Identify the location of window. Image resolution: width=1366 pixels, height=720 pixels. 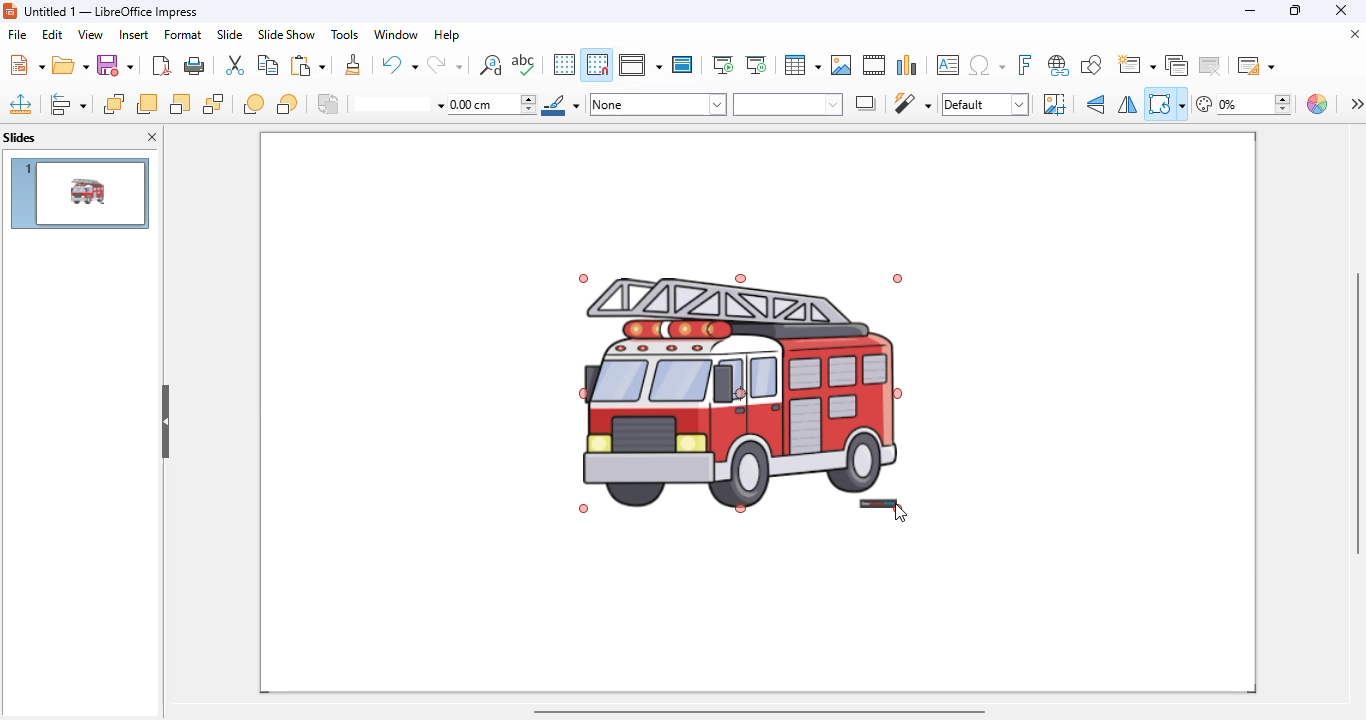
(397, 34).